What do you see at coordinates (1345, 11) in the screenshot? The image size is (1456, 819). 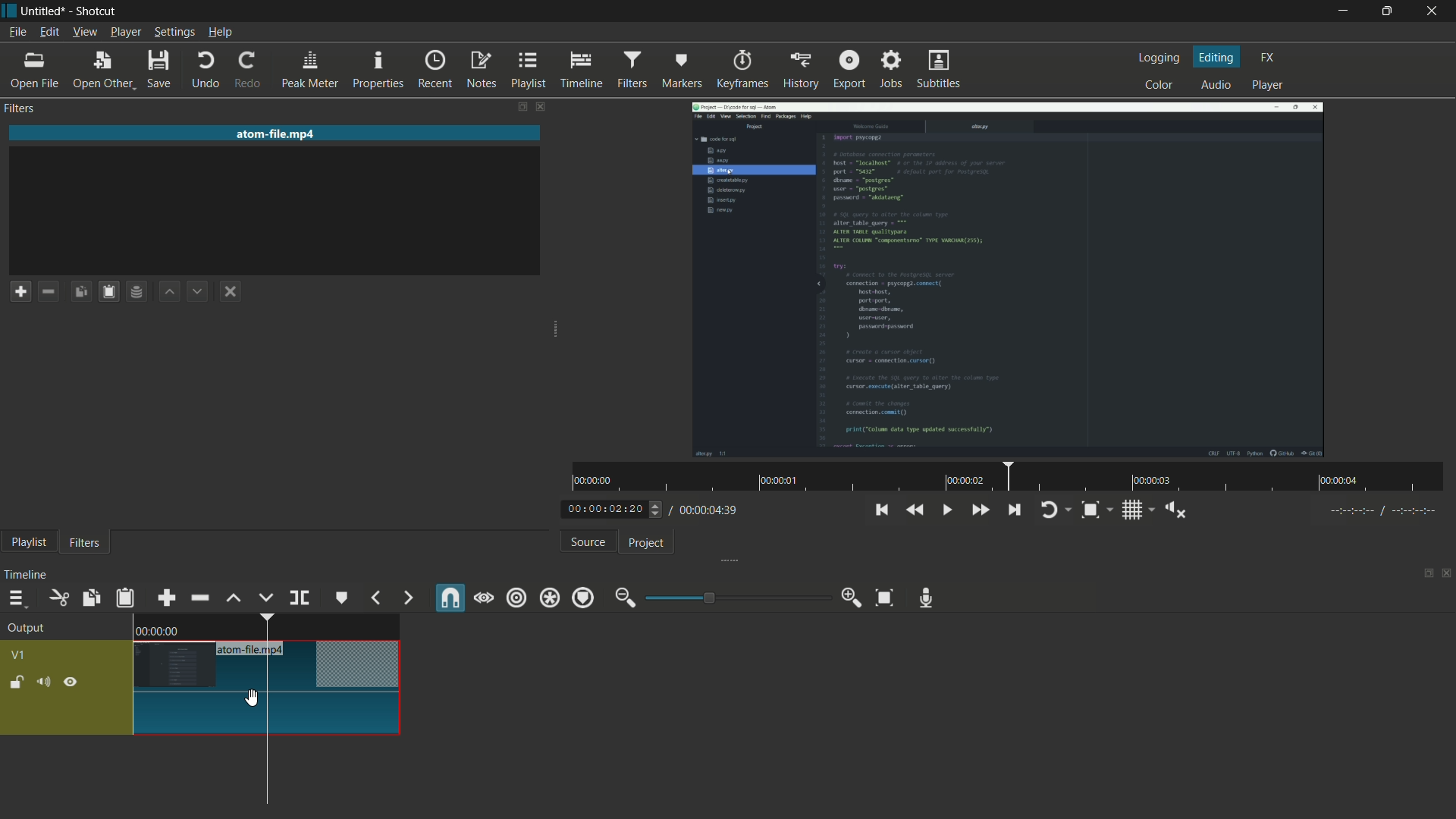 I see `minimize` at bounding box center [1345, 11].